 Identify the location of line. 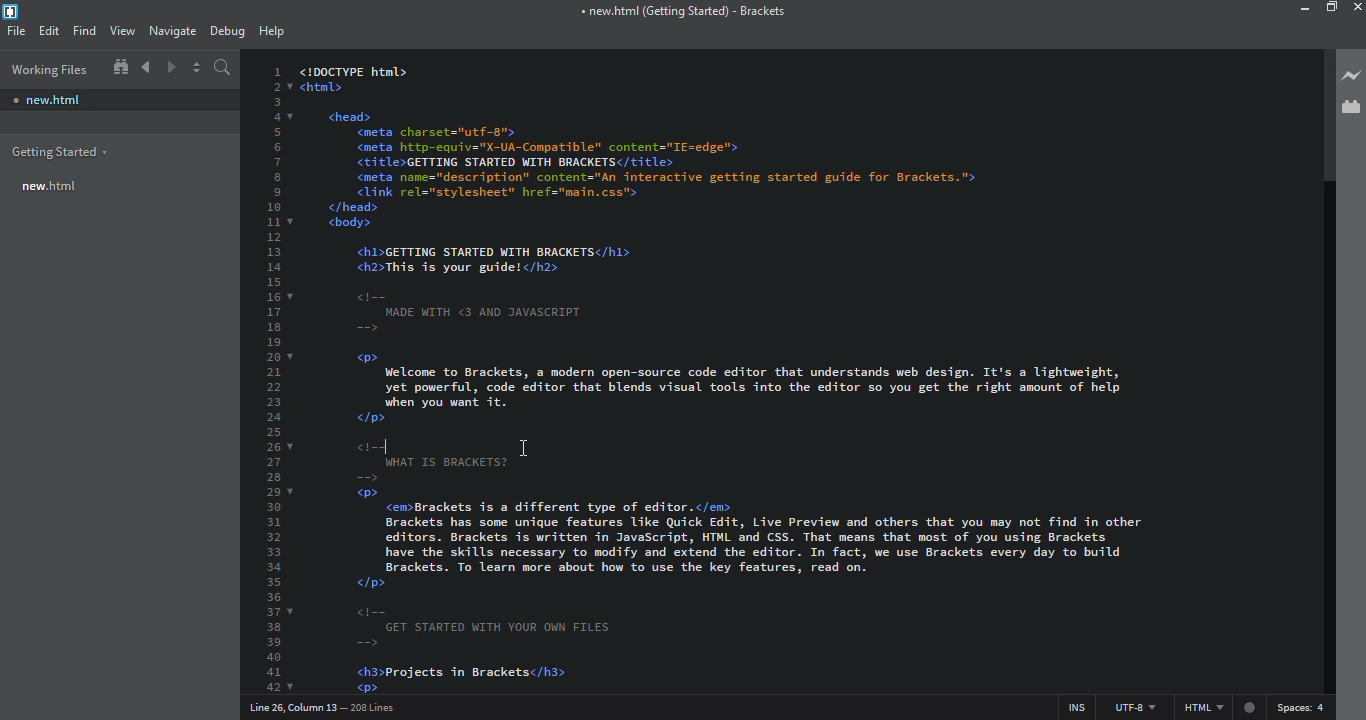
(328, 707).